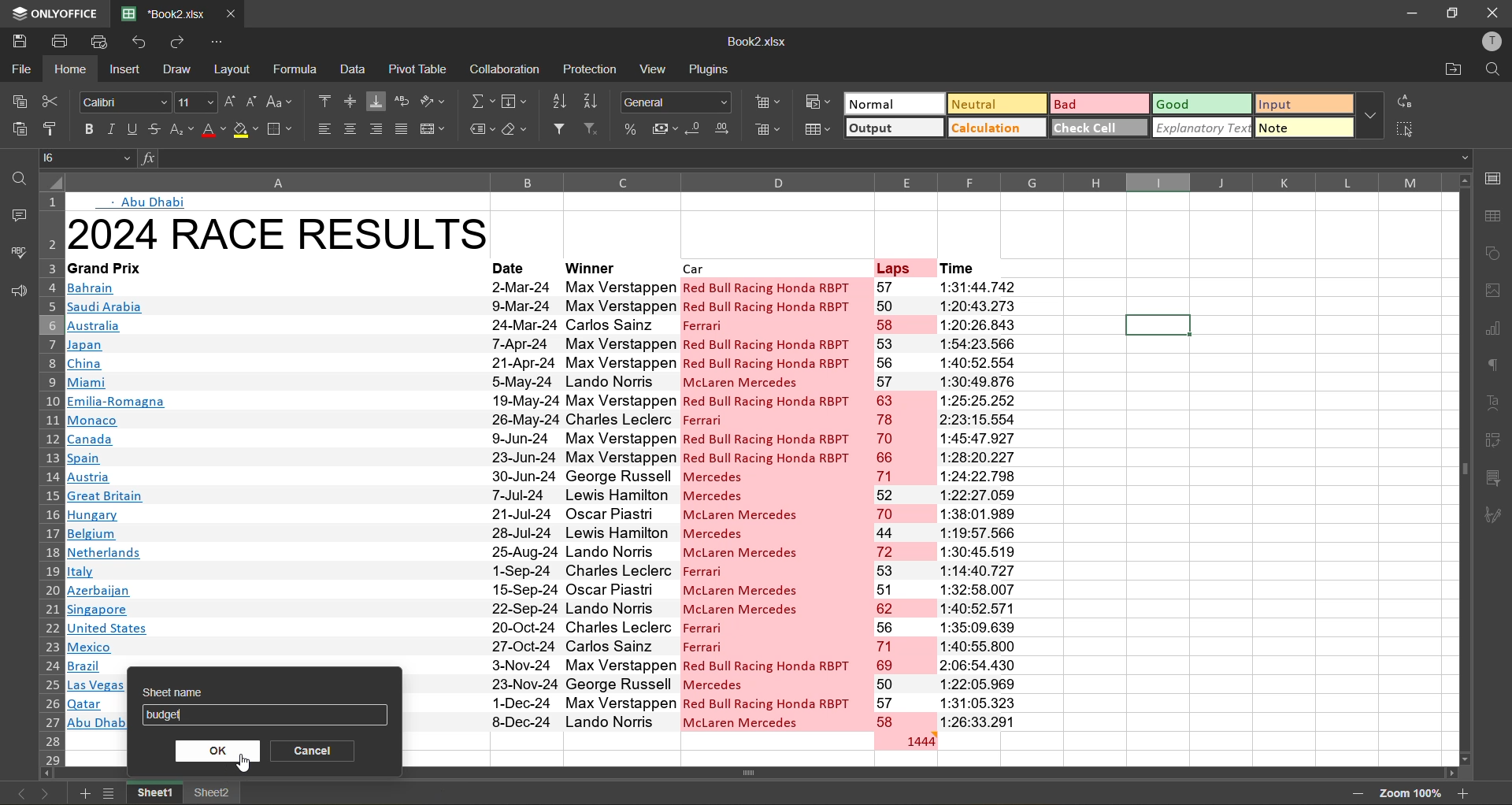 This screenshot has width=1512, height=805. Describe the element at coordinates (1371, 113) in the screenshot. I see `more options` at that location.